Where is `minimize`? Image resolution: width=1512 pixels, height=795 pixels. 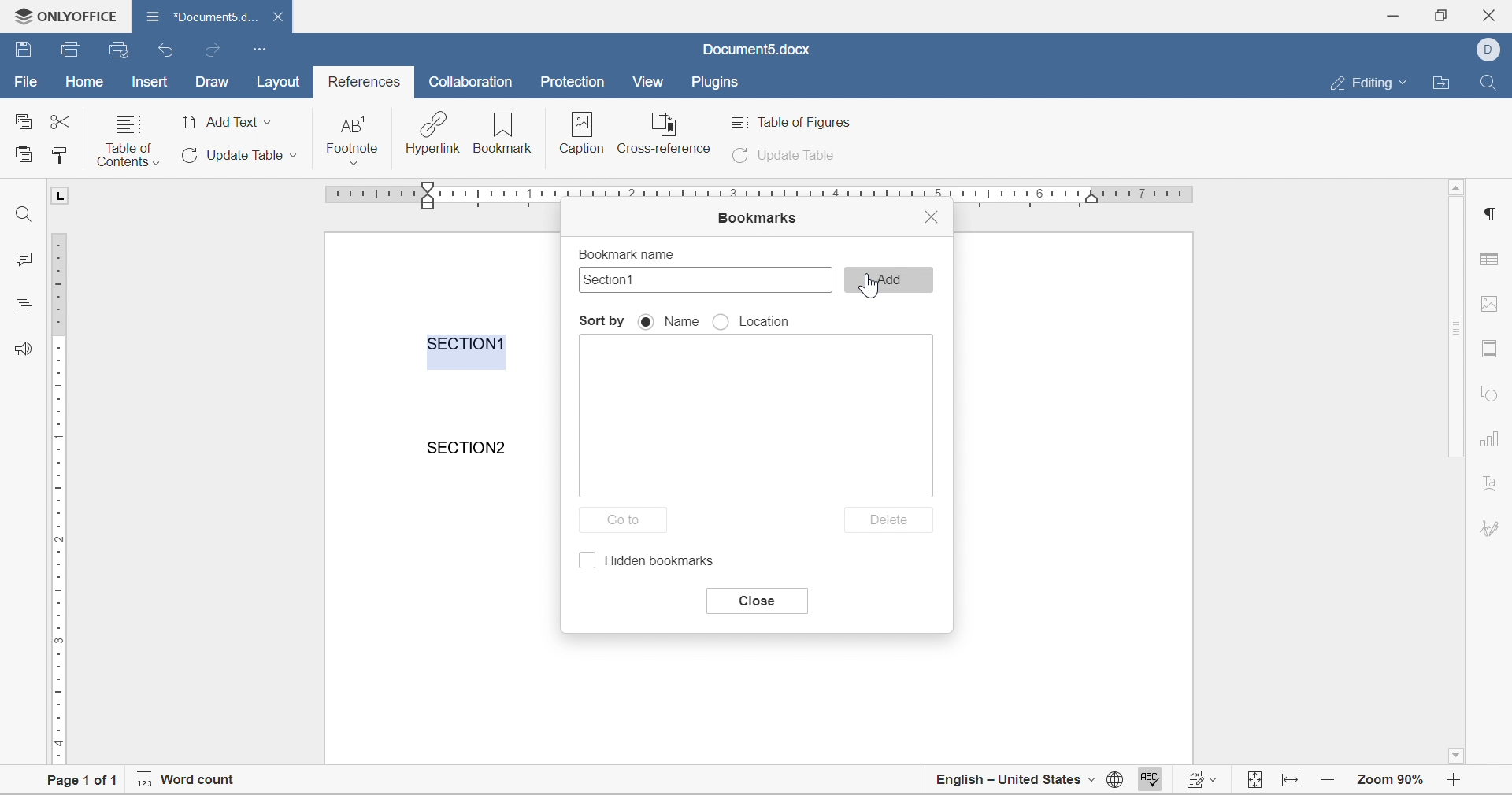 minimize is located at coordinates (1396, 13).